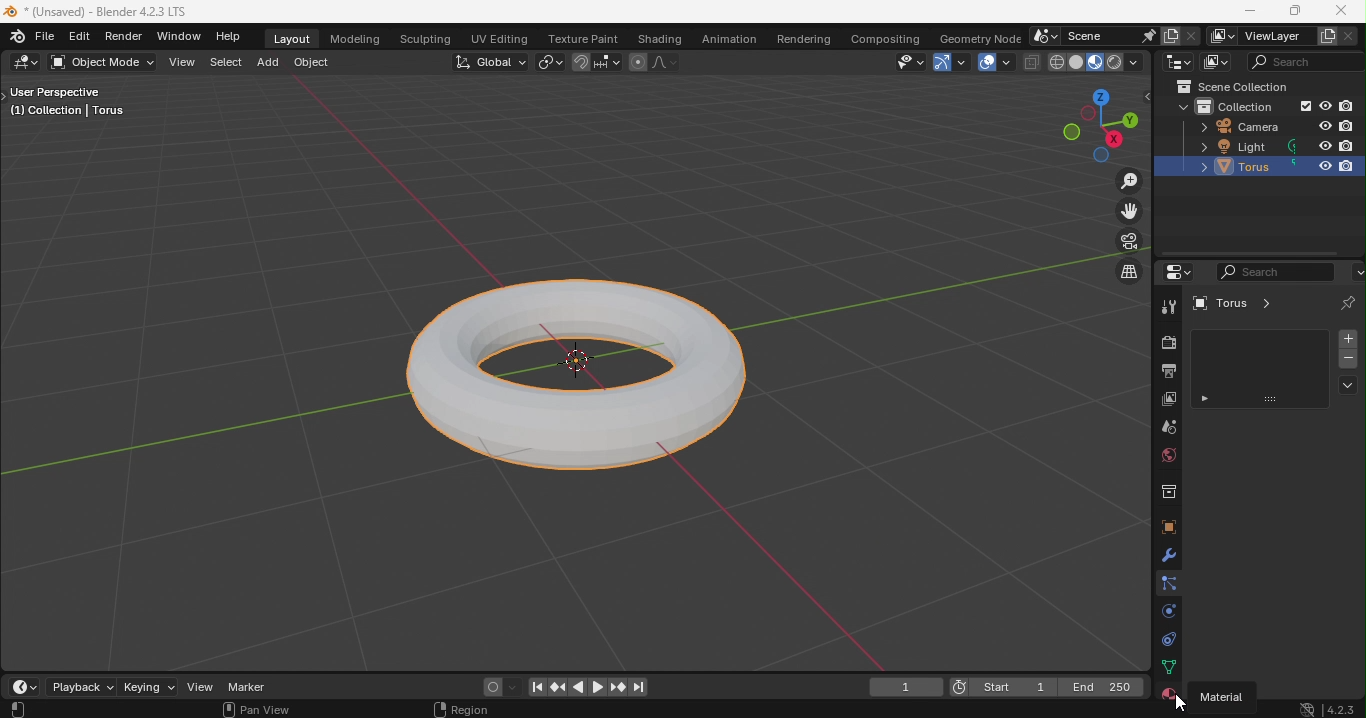 Image resolution: width=1366 pixels, height=718 pixels. I want to click on Edit, so click(79, 37).